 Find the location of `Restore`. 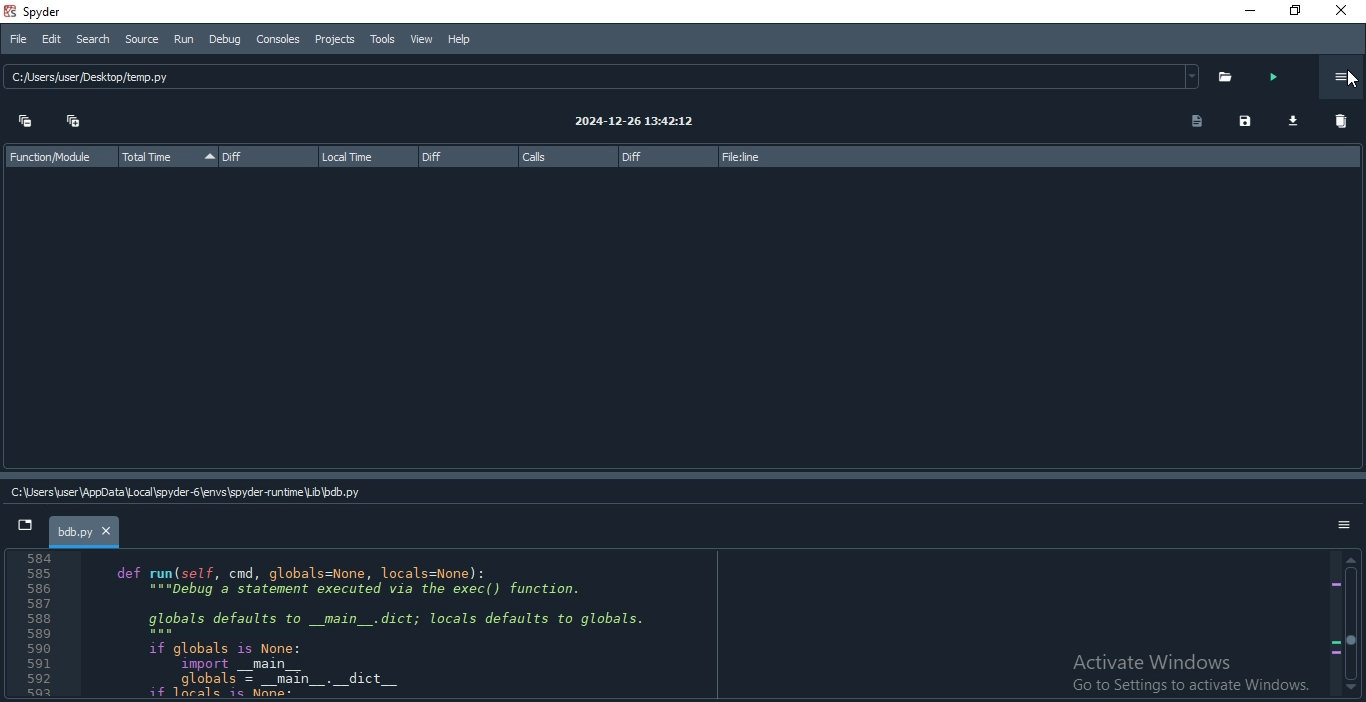

Restore is located at coordinates (1295, 11).